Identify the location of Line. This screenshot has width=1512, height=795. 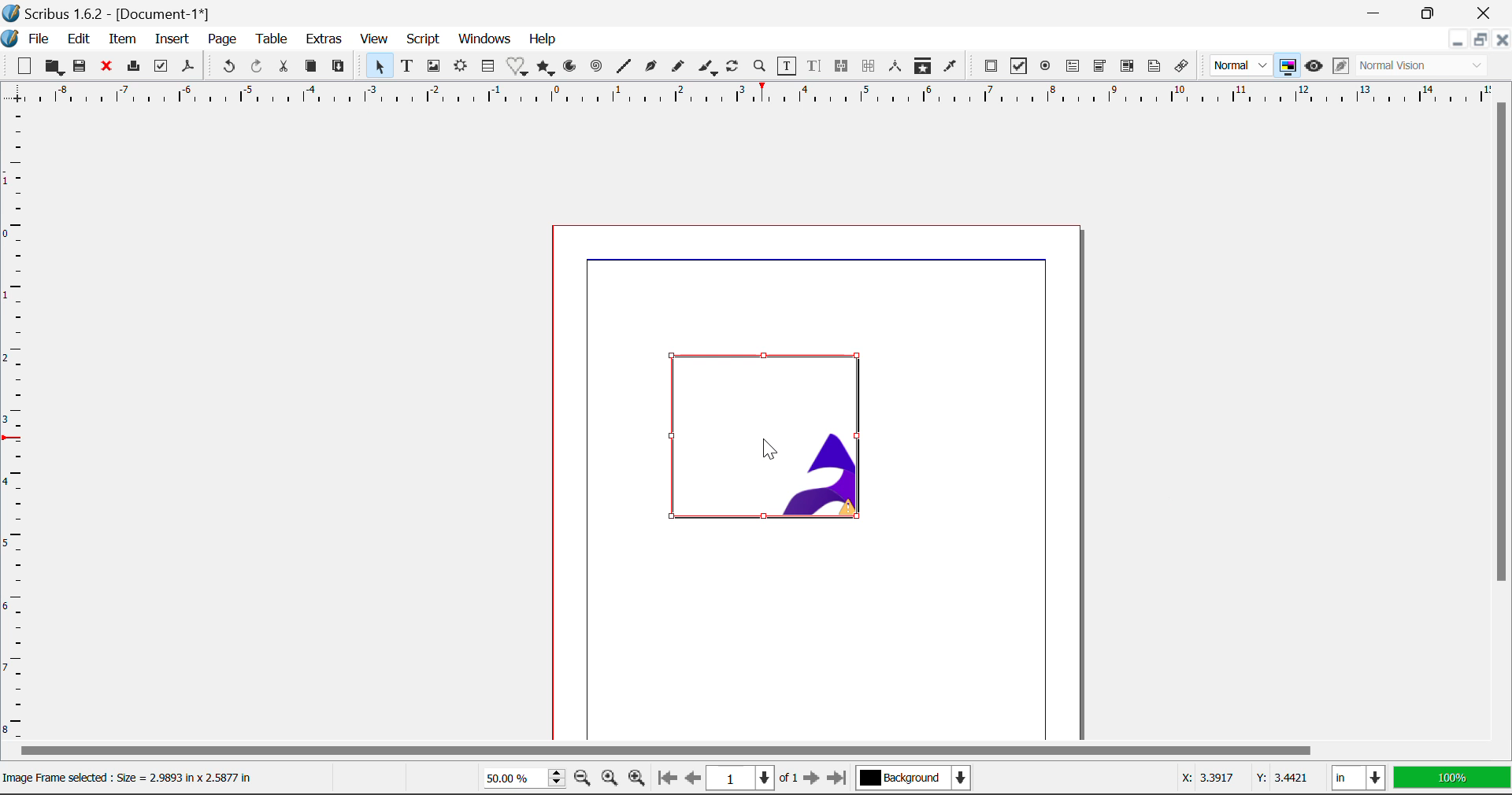
(623, 68).